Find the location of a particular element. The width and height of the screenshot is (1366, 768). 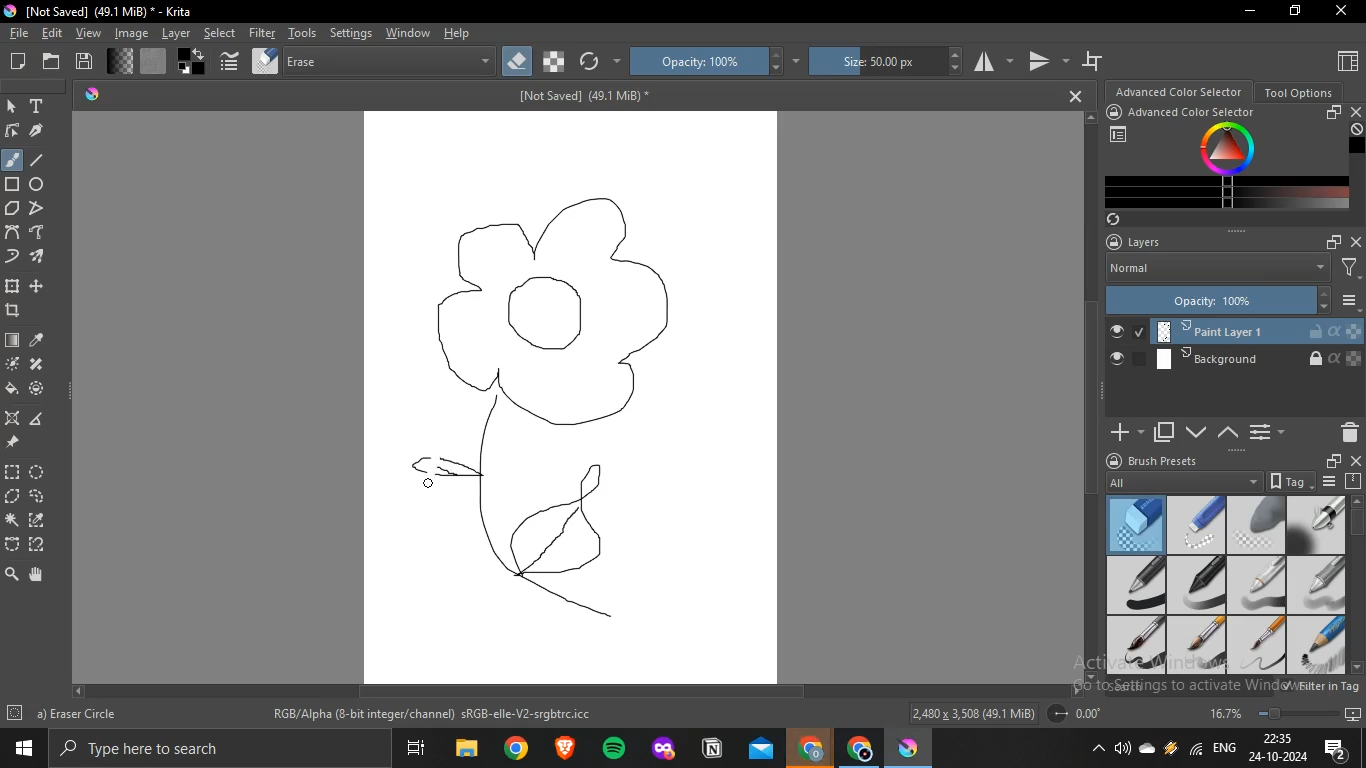

Close is located at coordinates (1070, 95).